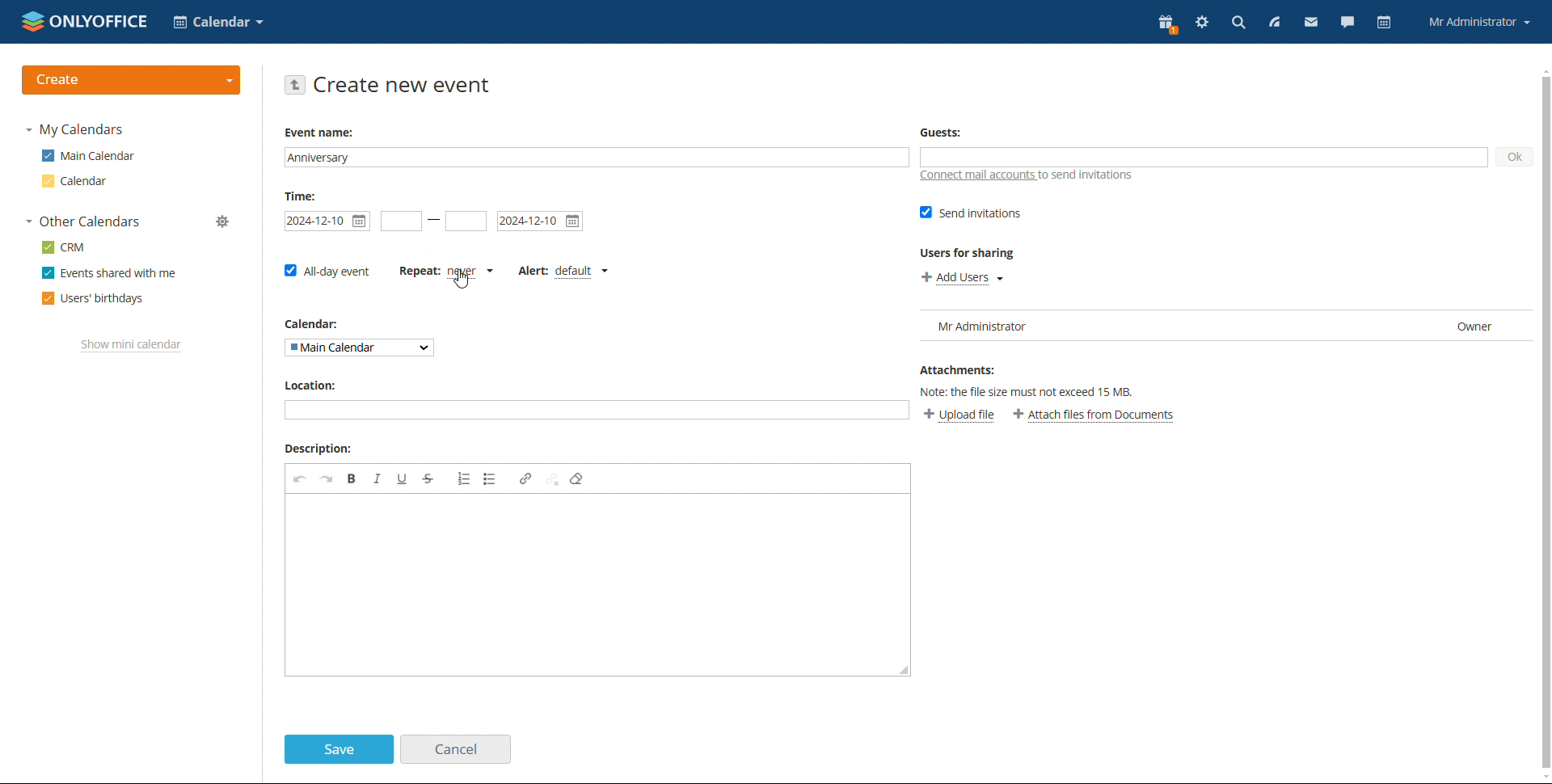 The width and height of the screenshot is (1552, 784). What do you see at coordinates (327, 478) in the screenshot?
I see `redo` at bounding box center [327, 478].